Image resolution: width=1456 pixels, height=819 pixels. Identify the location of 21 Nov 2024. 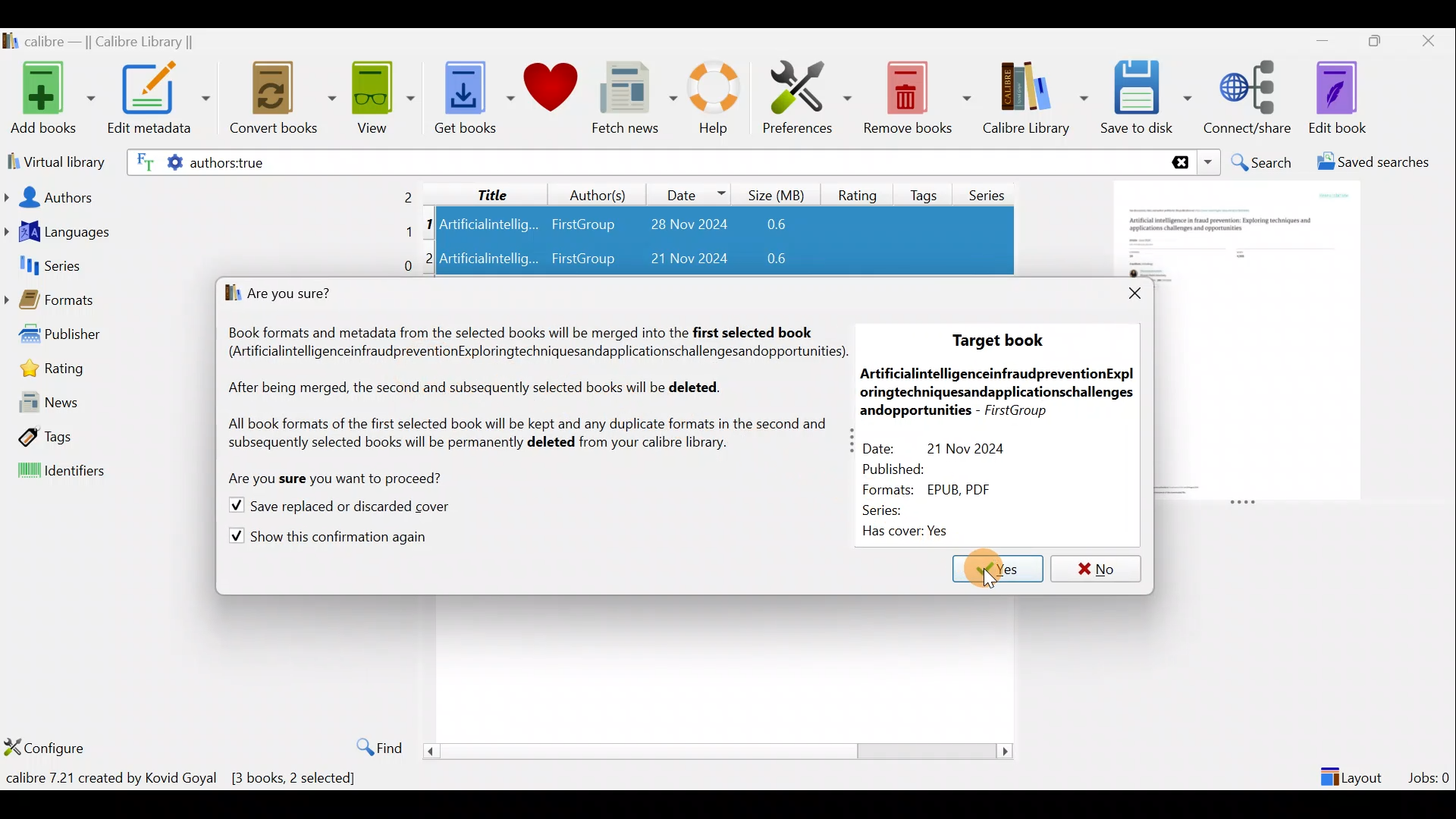
(678, 260).